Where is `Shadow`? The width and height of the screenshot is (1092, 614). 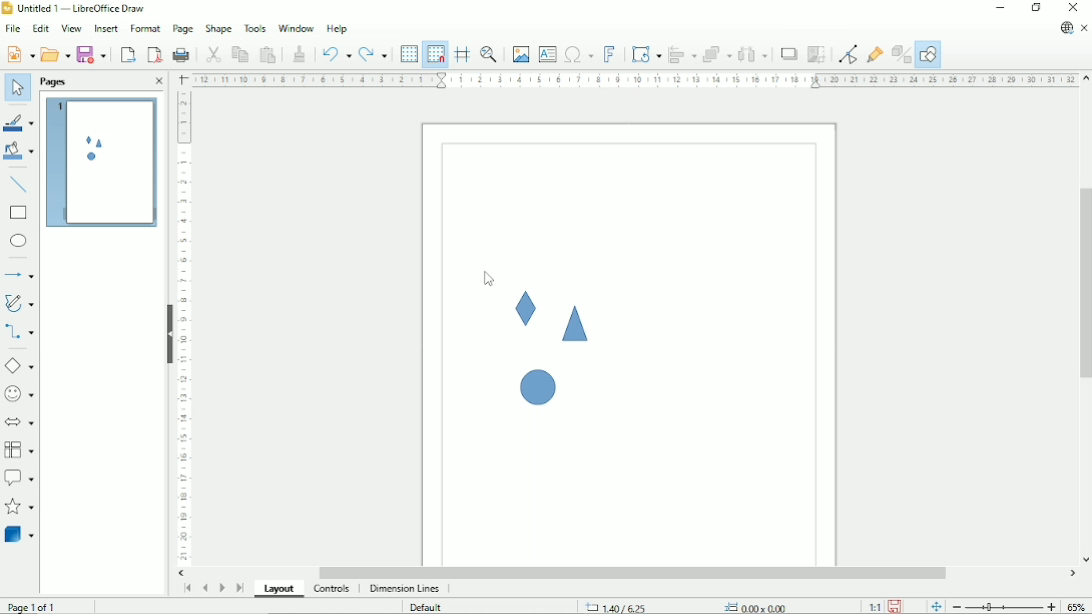 Shadow is located at coordinates (789, 54).